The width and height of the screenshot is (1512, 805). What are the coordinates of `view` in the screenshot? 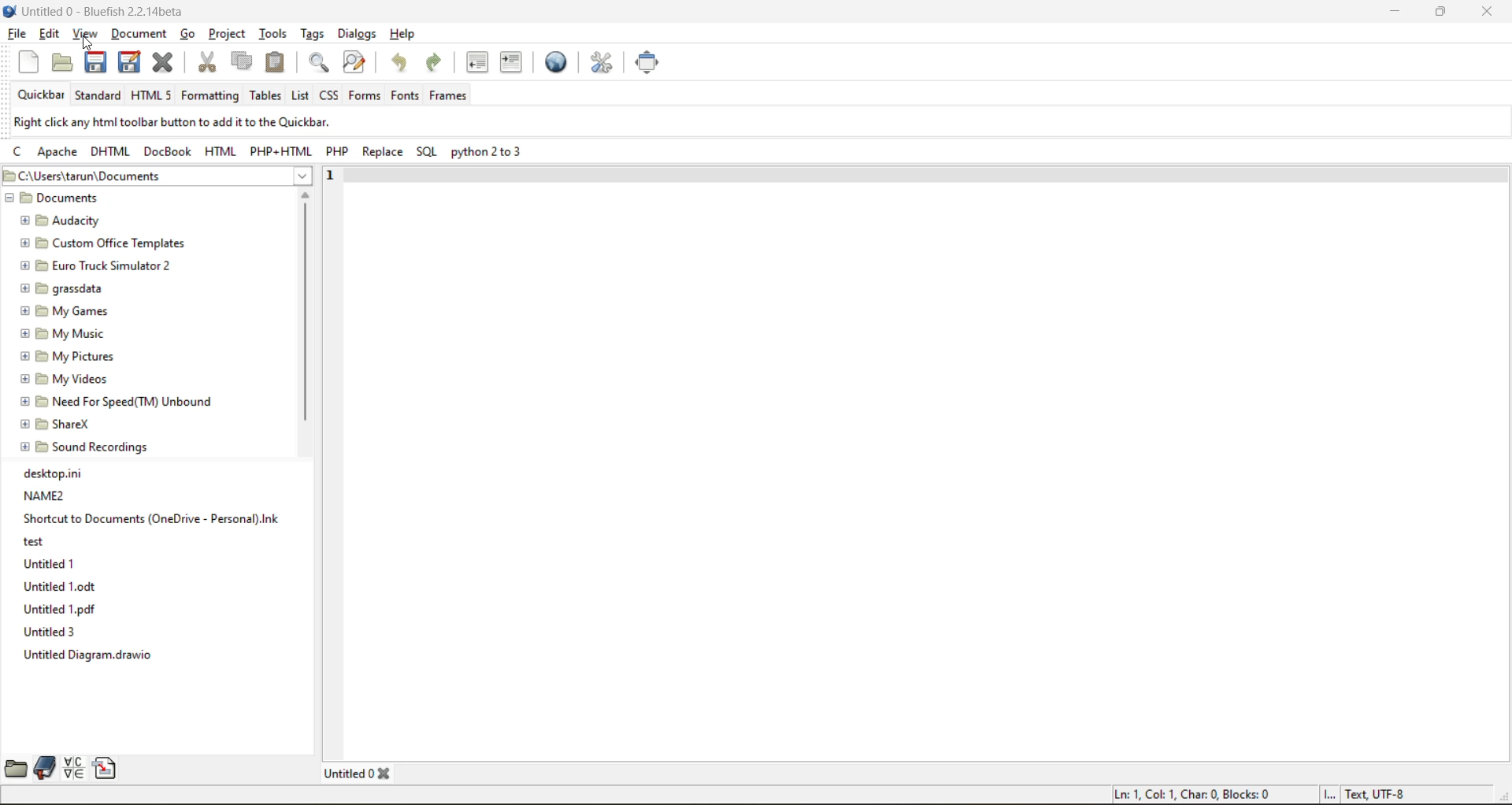 It's located at (85, 35).